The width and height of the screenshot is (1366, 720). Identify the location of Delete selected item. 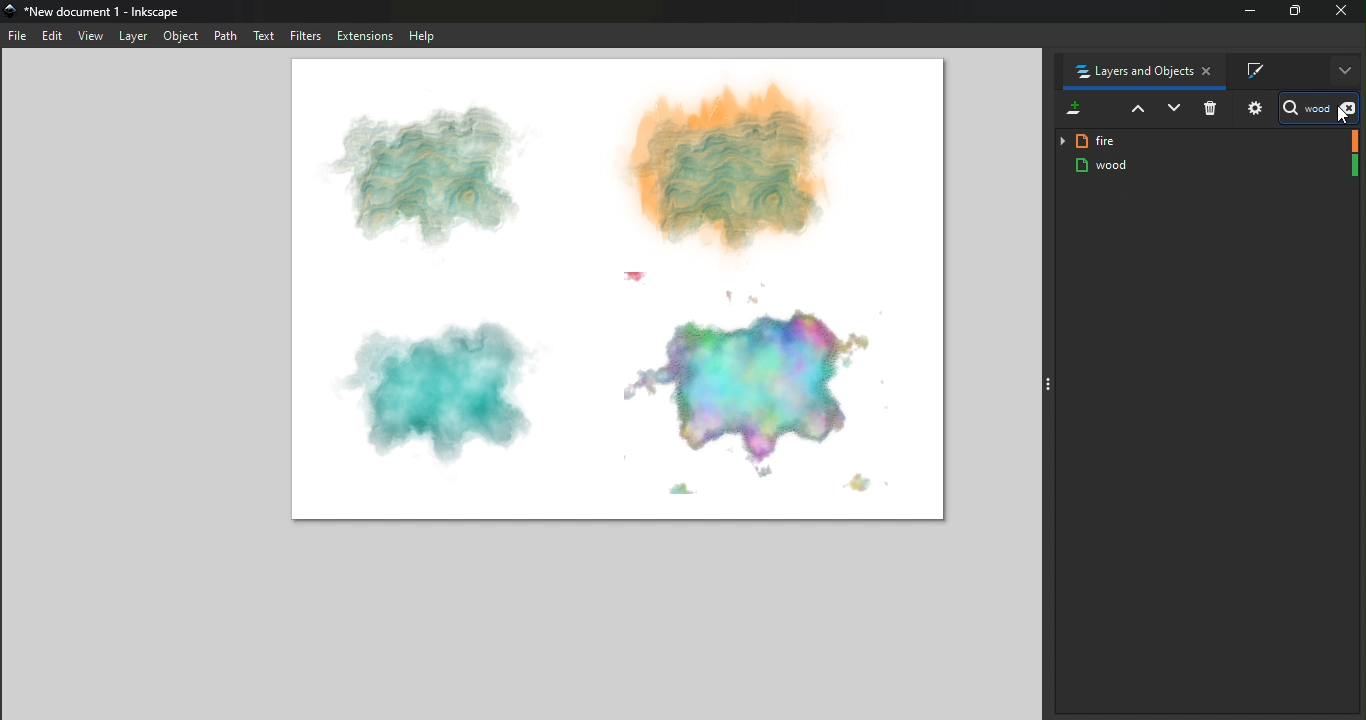
(1219, 110).